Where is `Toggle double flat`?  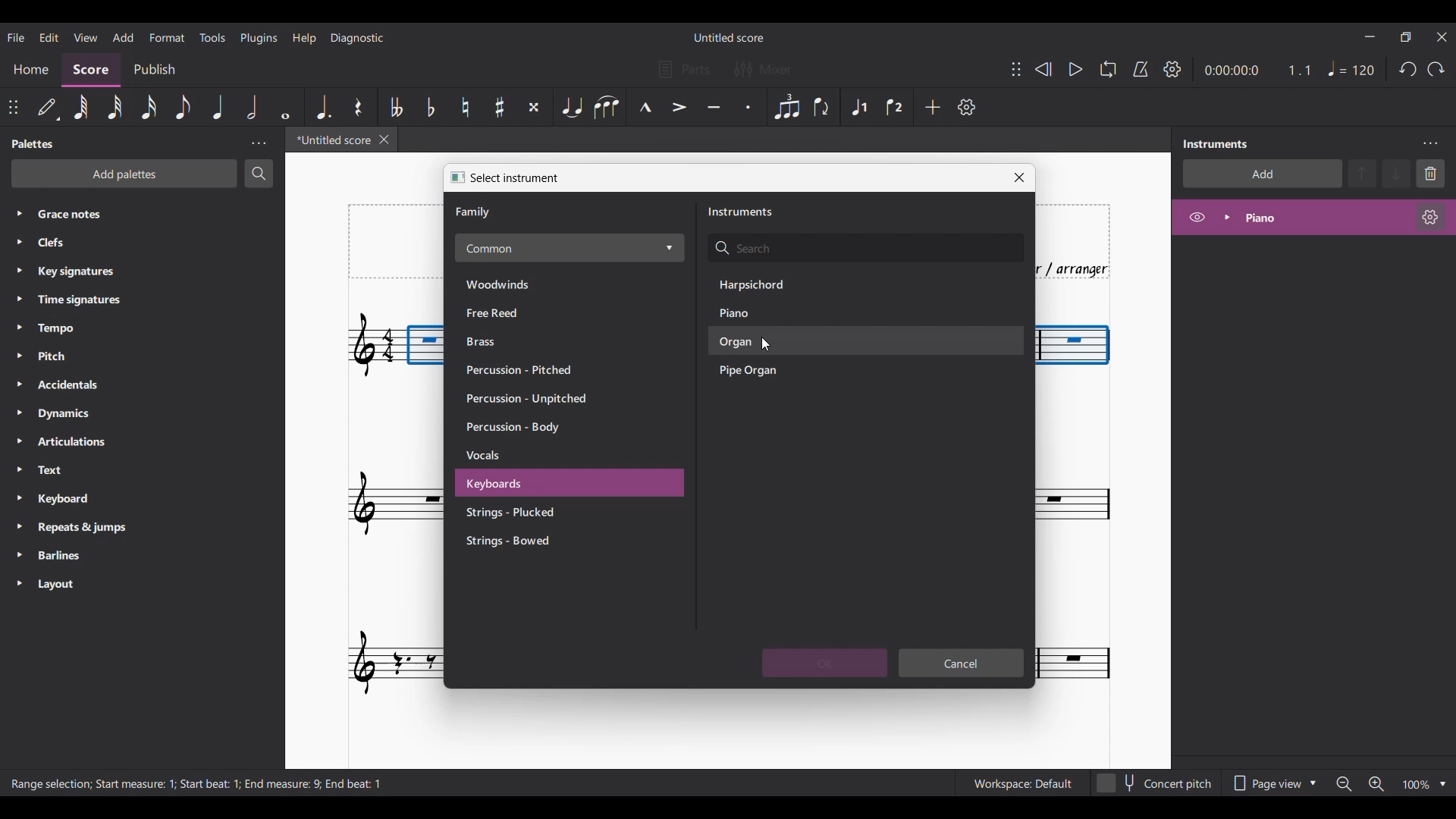 Toggle double flat is located at coordinates (397, 107).